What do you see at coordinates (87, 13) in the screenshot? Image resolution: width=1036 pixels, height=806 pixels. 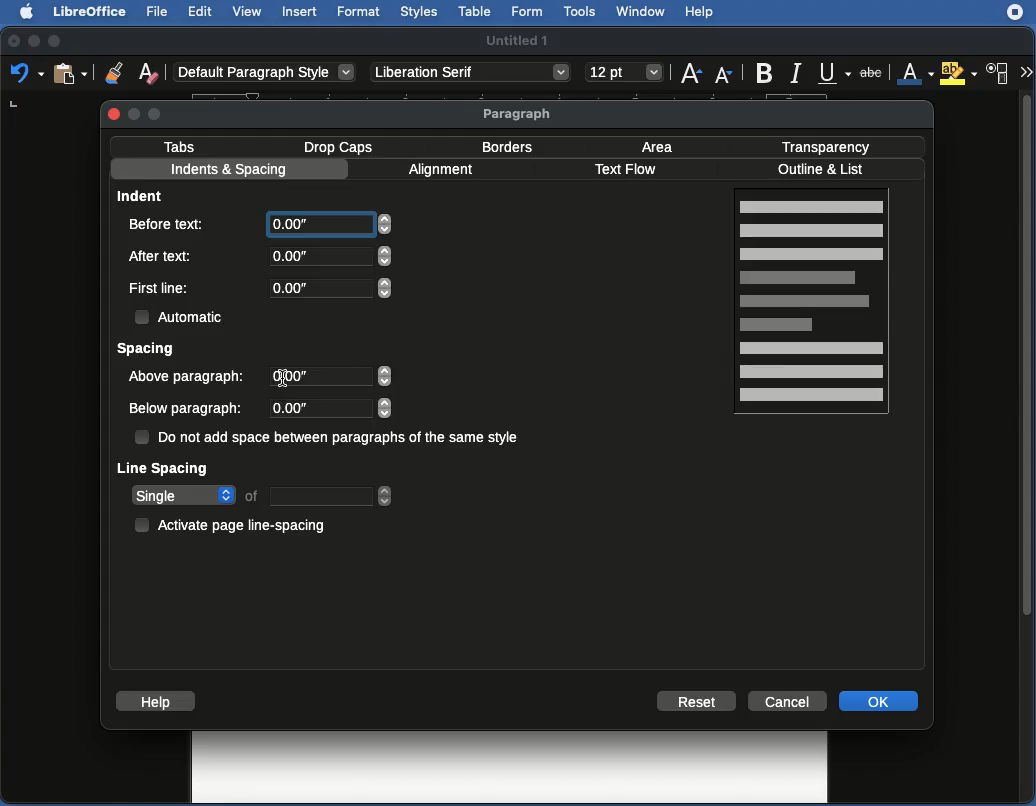 I see `LibreOffice` at bounding box center [87, 13].